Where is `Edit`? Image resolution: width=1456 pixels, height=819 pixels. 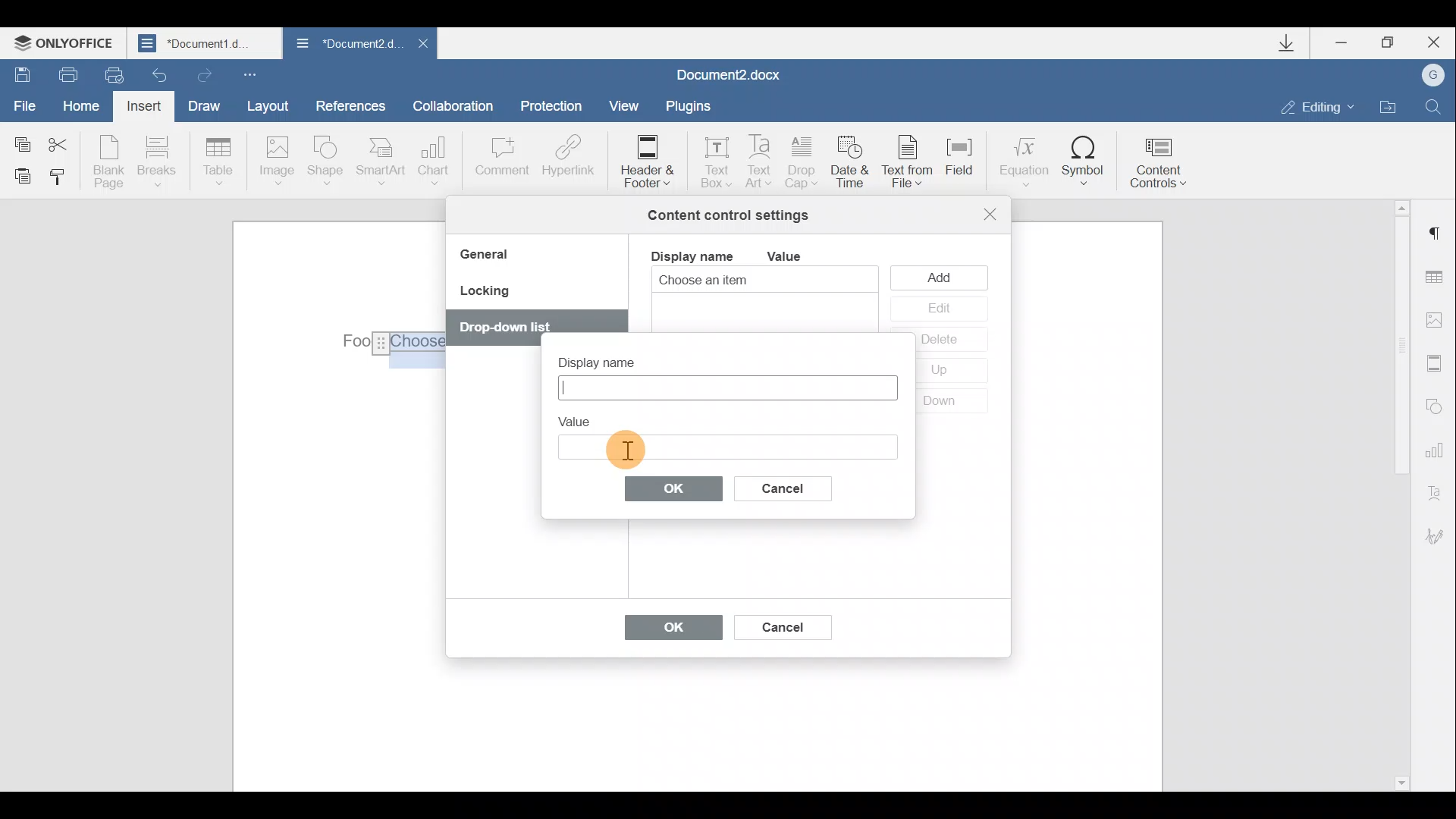
Edit is located at coordinates (938, 309).